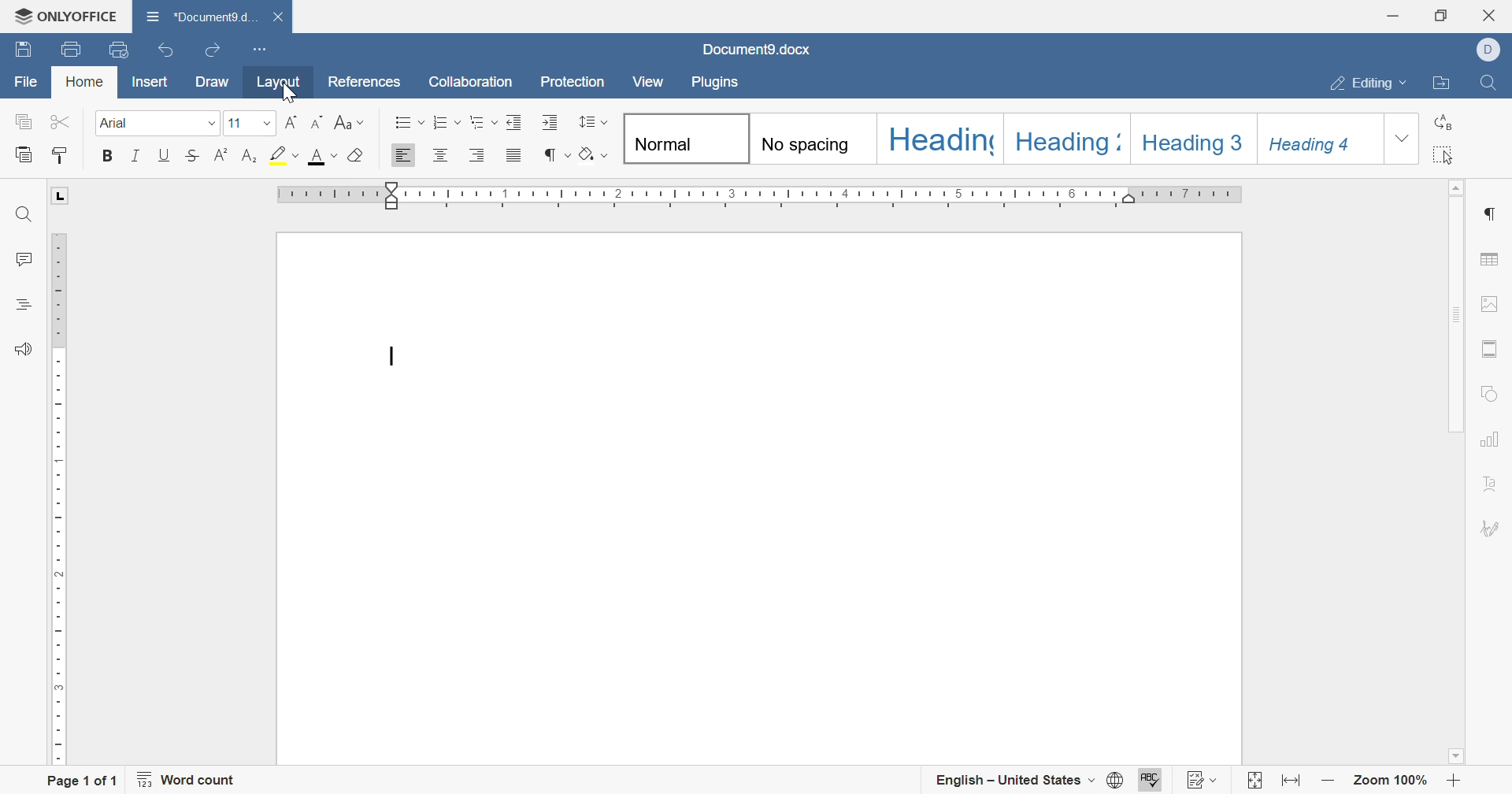 The height and width of the screenshot is (794, 1512). Describe the element at coordinates (412, 123) in the screenshot. I see `bullets` at that location.